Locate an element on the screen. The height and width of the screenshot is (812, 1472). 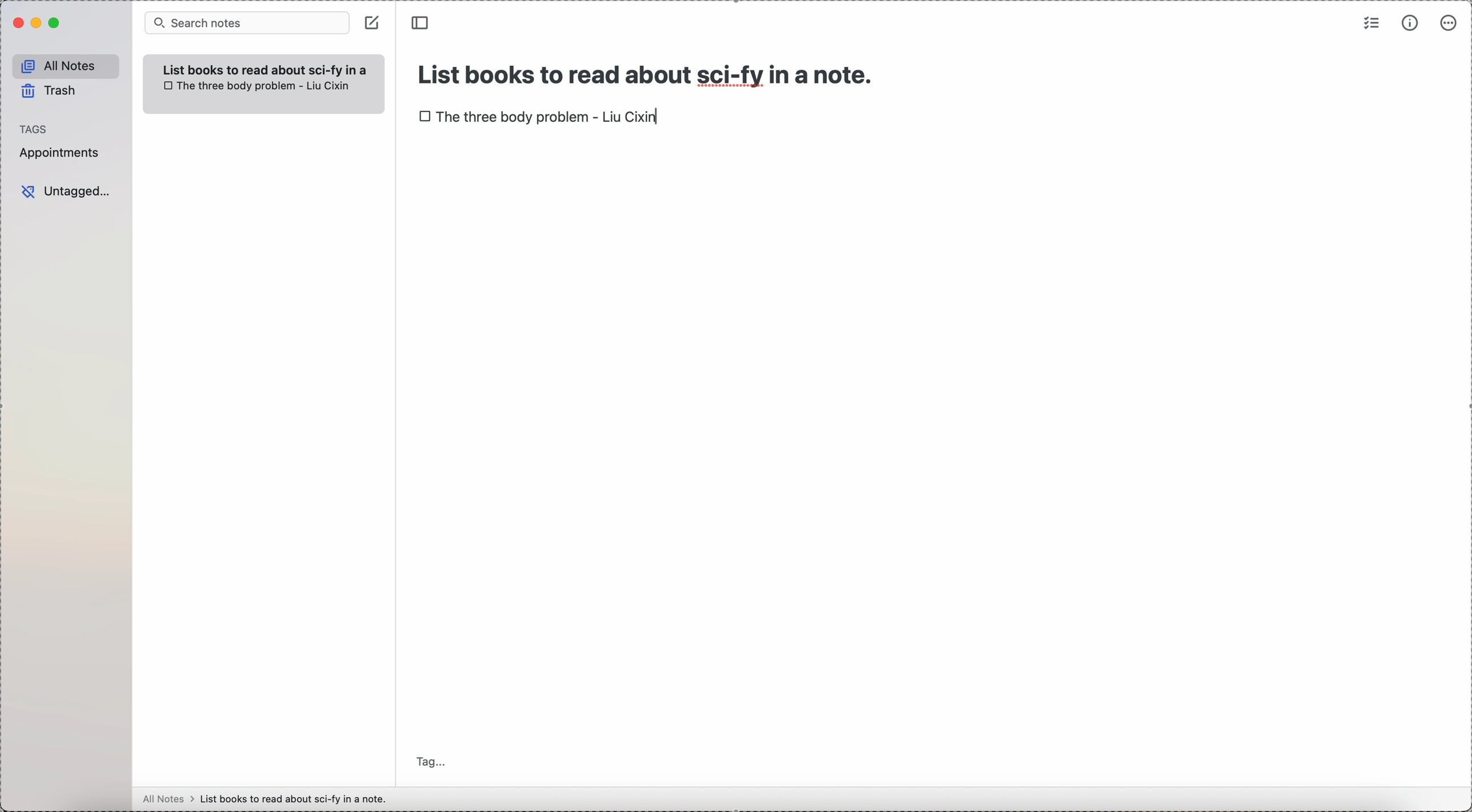
first book is located at coordinates (265, 86).